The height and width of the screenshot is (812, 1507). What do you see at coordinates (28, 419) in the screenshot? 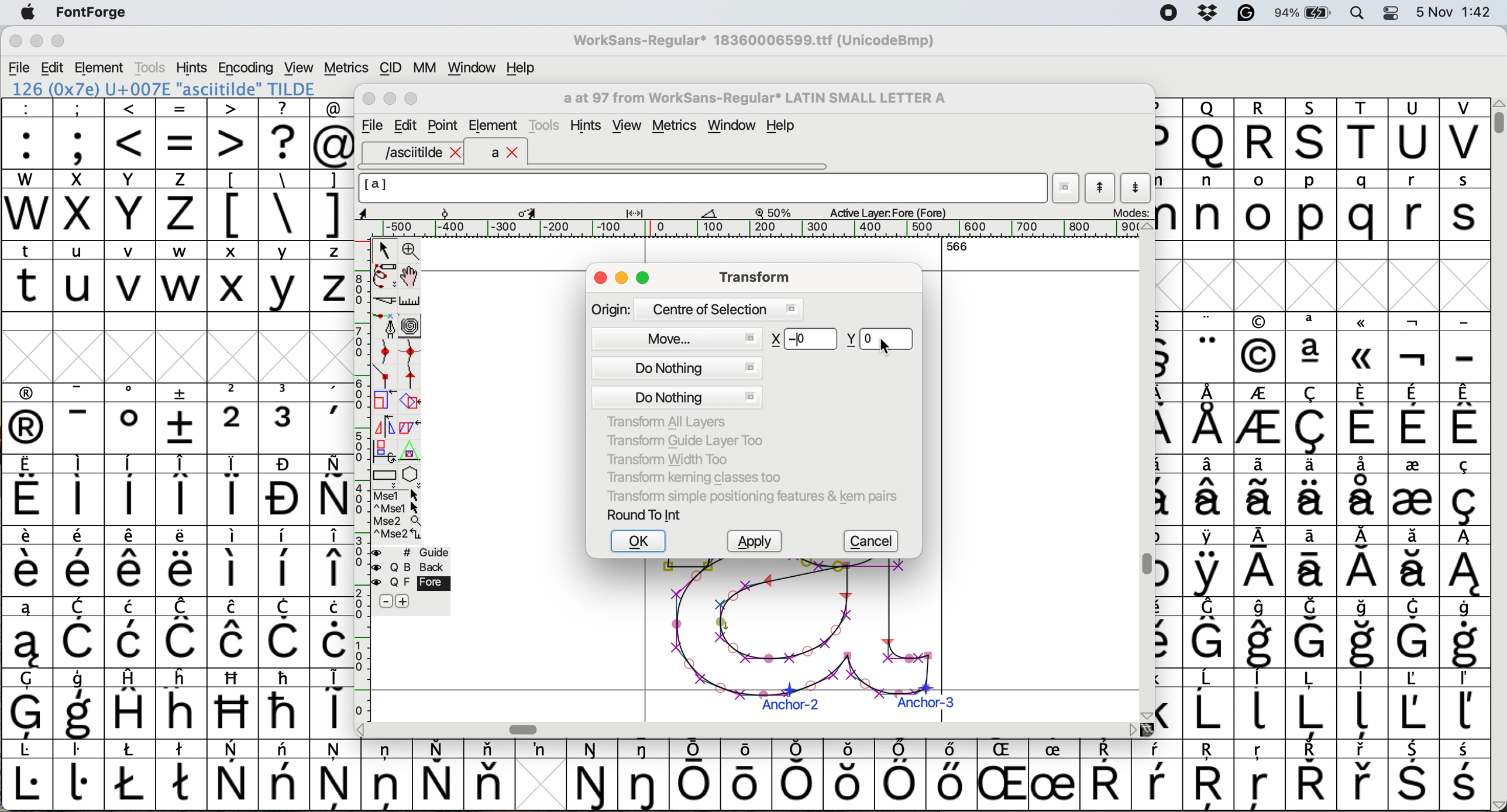
I see `symbol` at bounding box center [28, 419].